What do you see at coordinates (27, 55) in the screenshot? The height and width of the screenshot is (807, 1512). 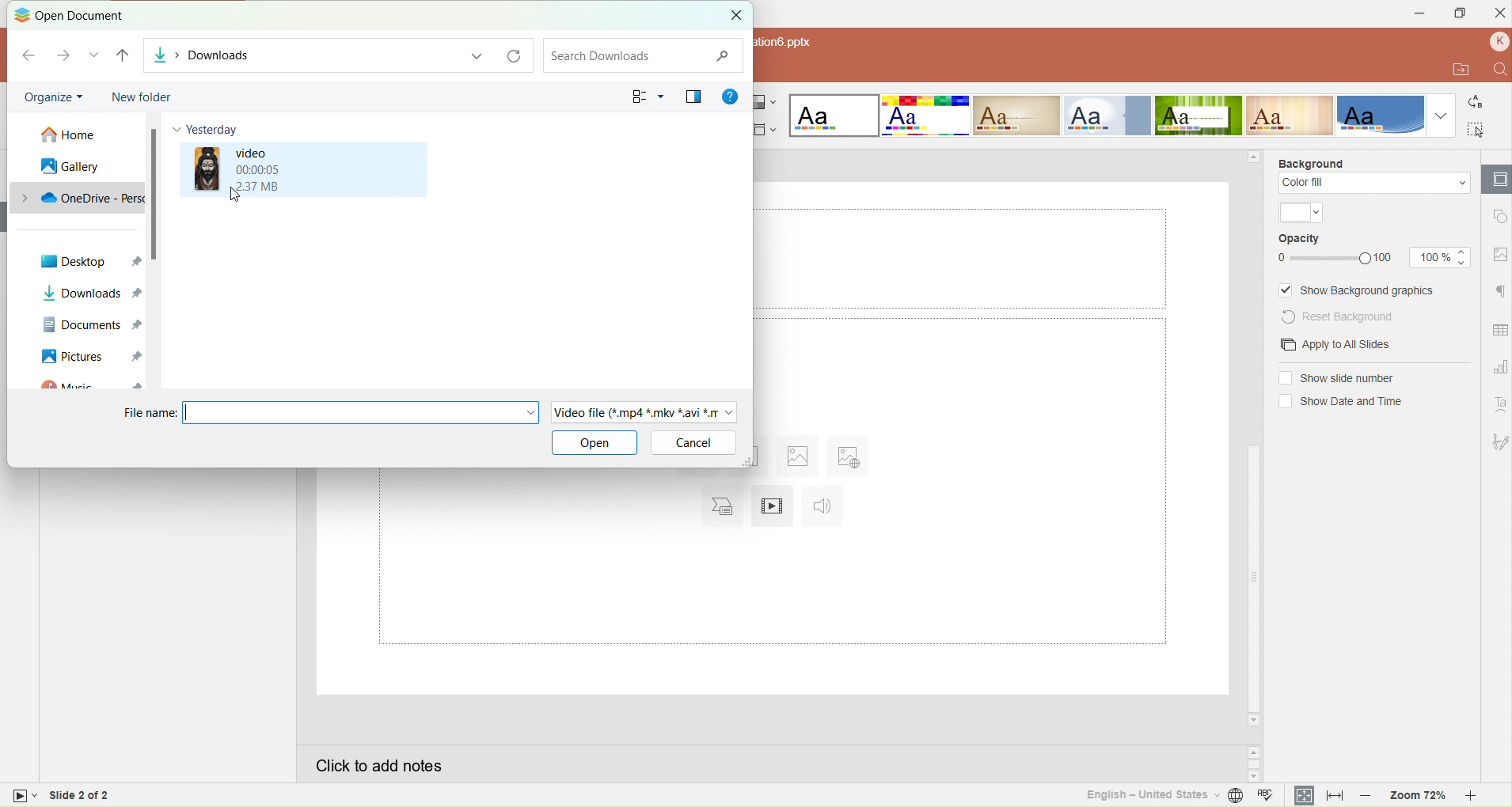 I see `Back` at bounding box center [27, 55].